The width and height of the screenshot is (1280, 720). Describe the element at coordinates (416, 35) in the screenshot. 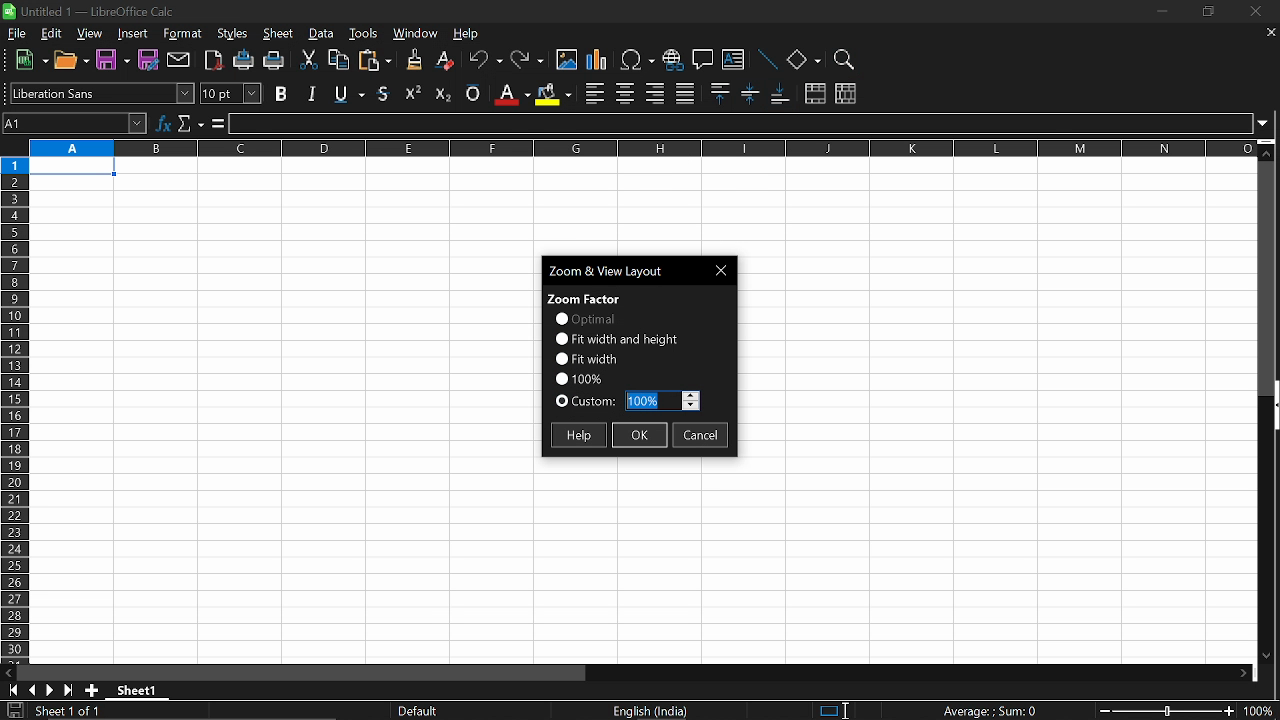

I see `window` at that location.